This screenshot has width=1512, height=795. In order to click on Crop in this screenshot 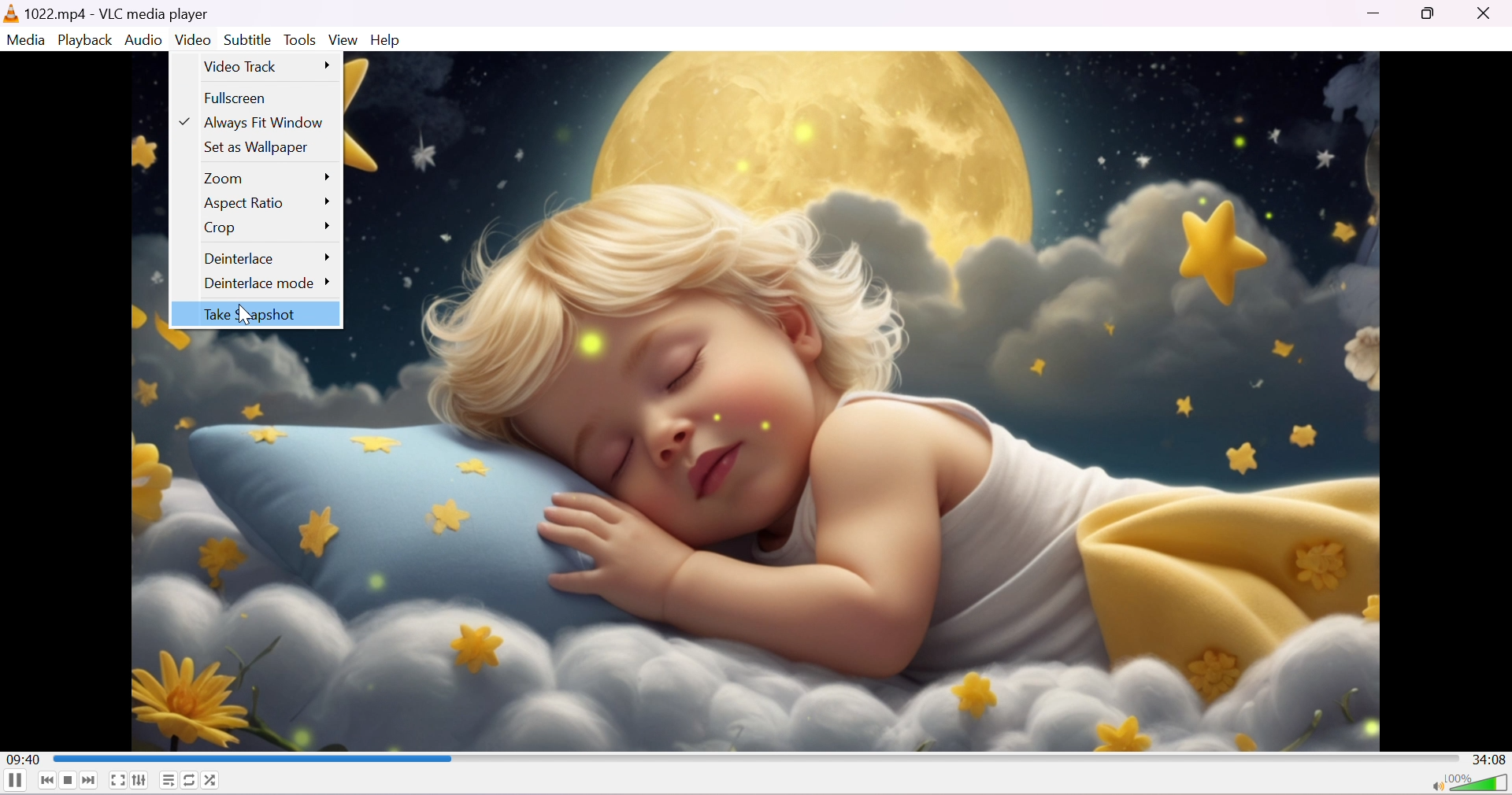, I will do `click(269, 226)`.